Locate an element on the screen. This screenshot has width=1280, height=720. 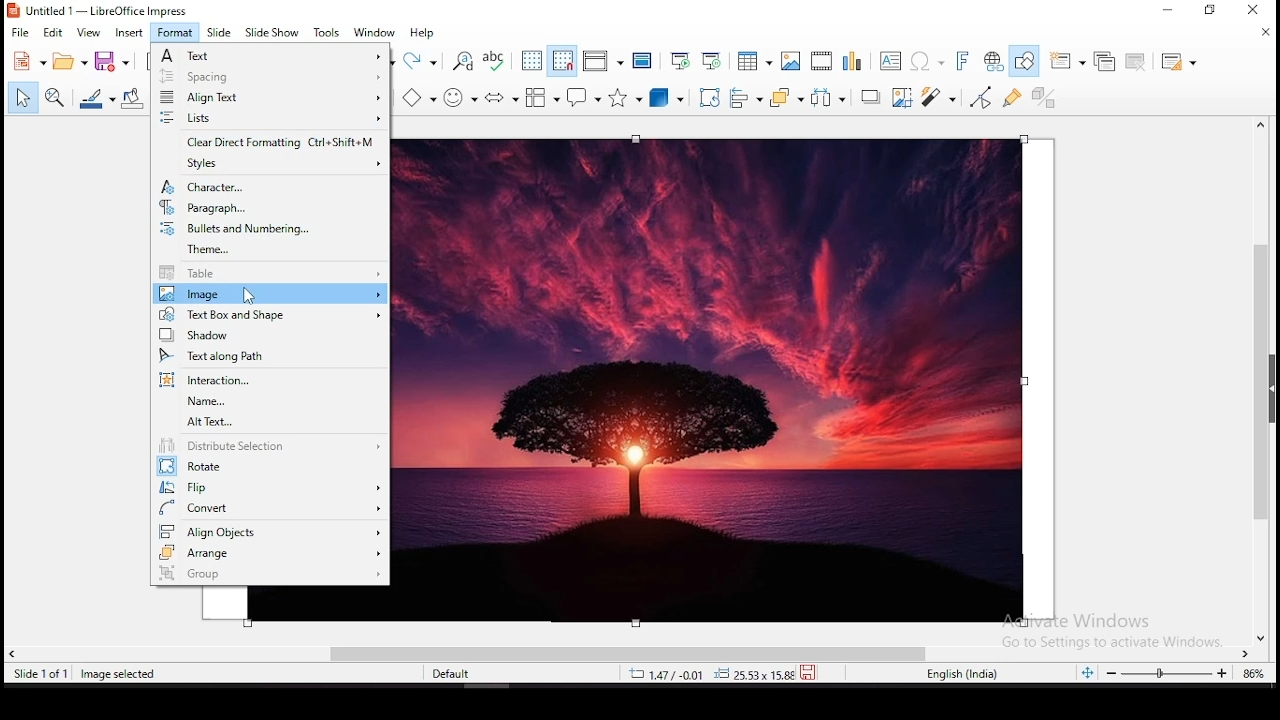
distribute is located at coordinates (828, 99).